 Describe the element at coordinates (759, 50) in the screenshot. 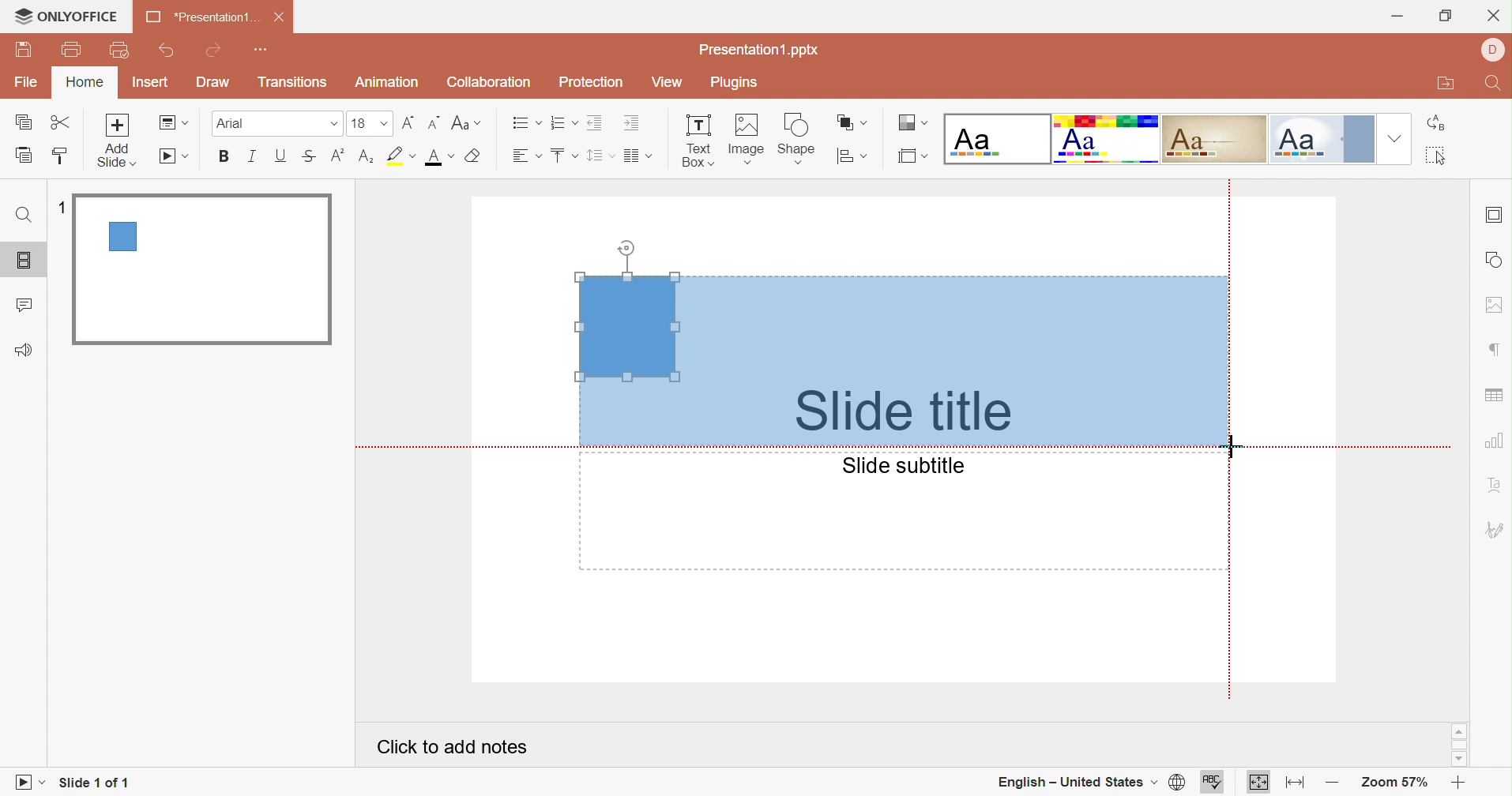

I see `Presentation1.pptx` at that location.